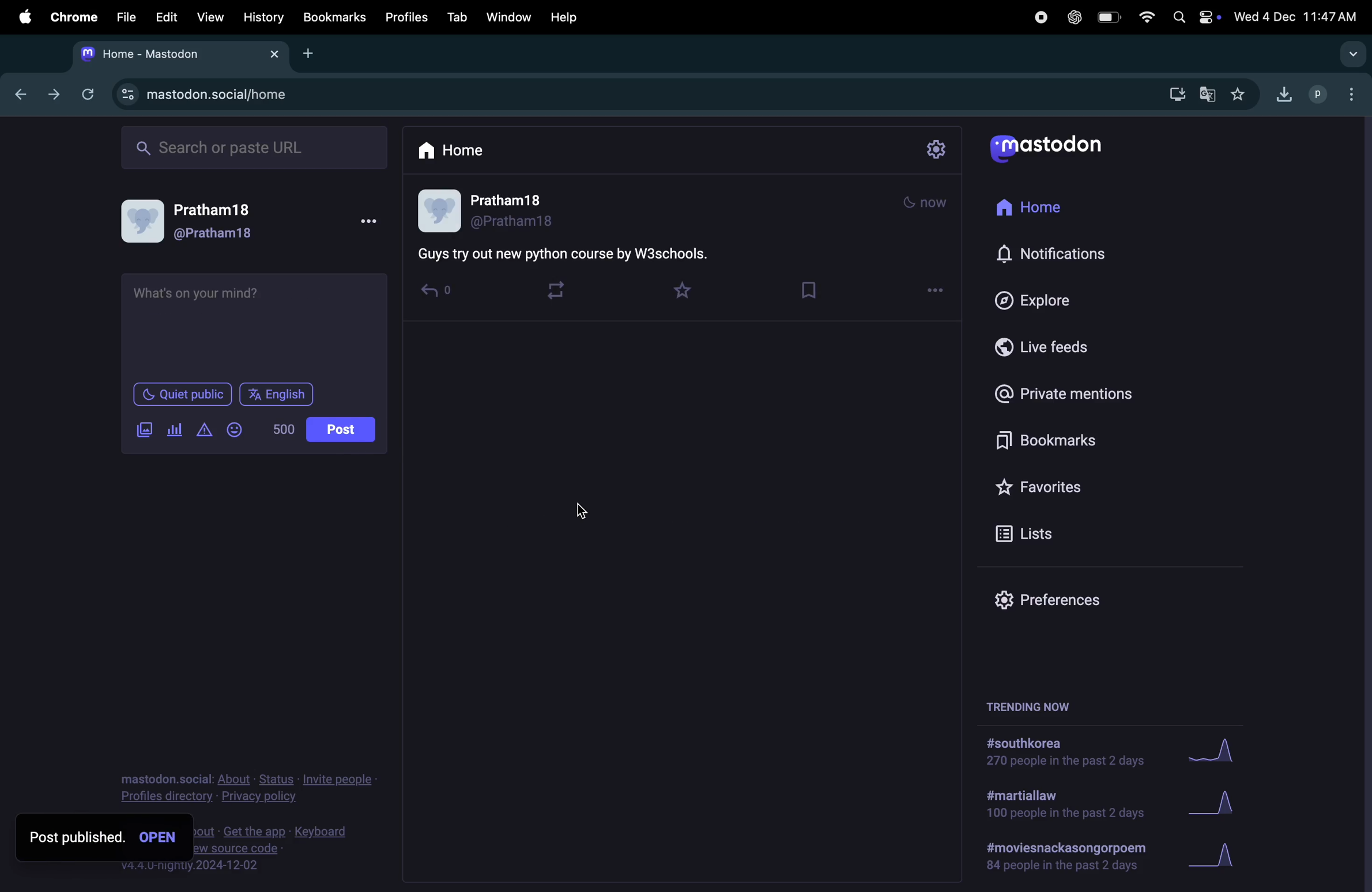 The height and width of the screenshot is (892, 1372). I want to click on forward, so click(57, 94).